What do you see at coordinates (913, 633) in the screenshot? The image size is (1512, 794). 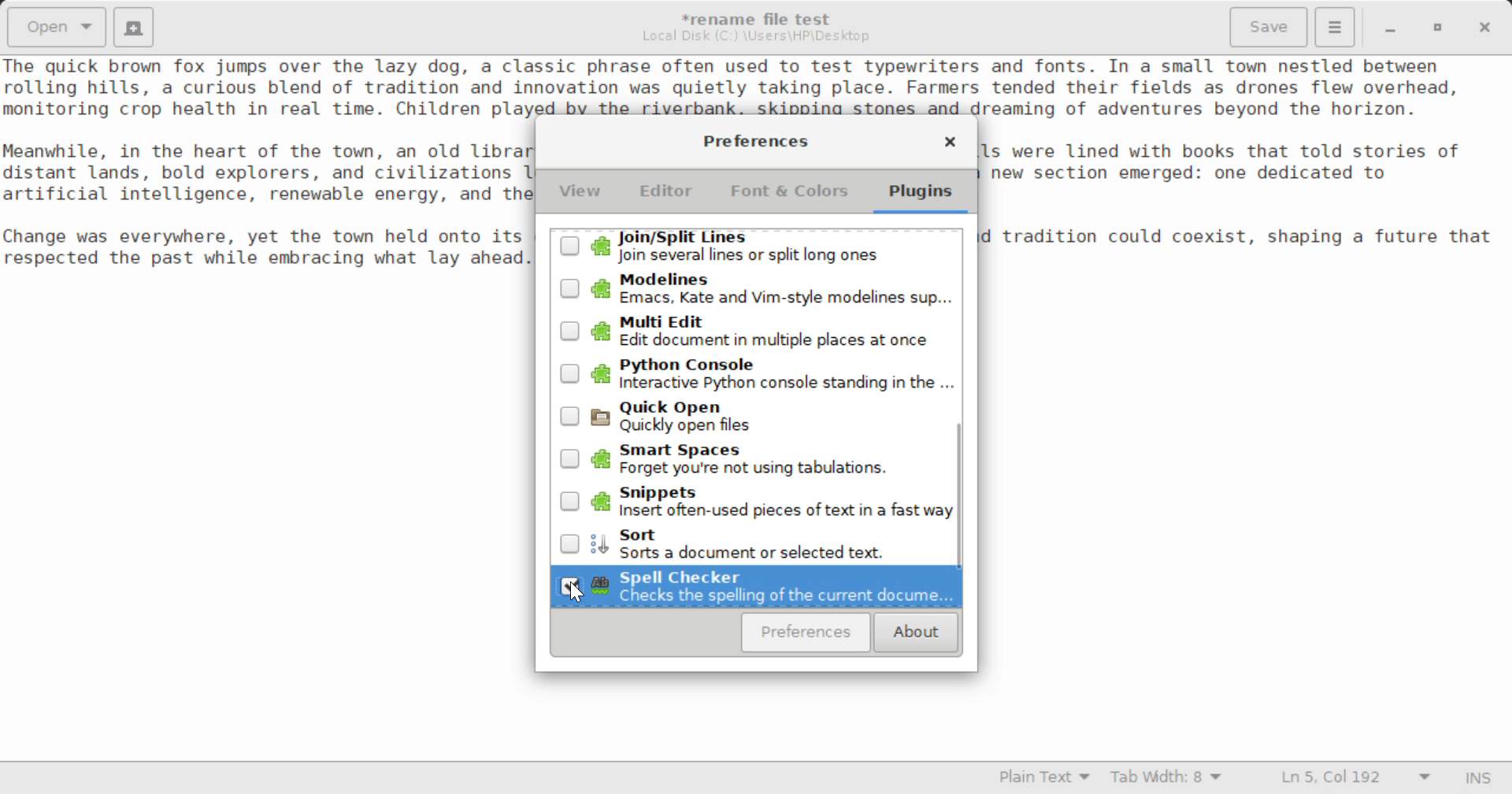 I see `About` at bounding box center [913, 633].